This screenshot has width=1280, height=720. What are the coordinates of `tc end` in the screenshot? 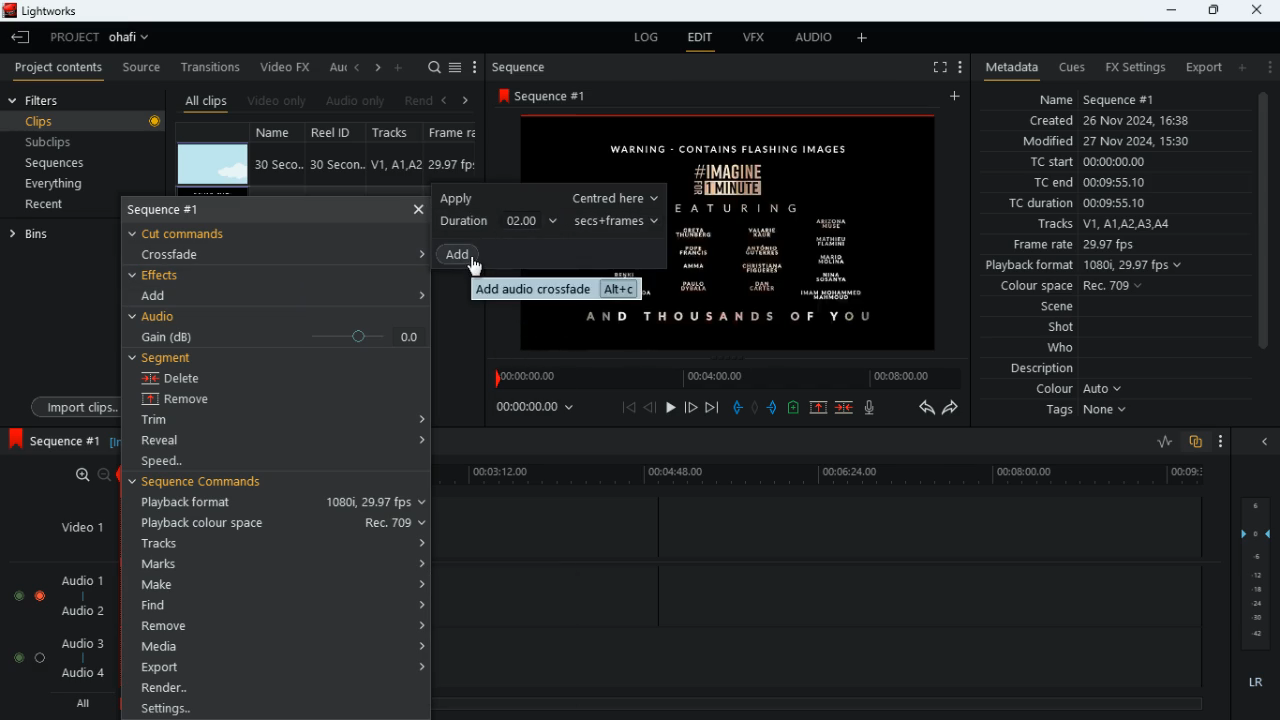 It's located at (1082, 183).